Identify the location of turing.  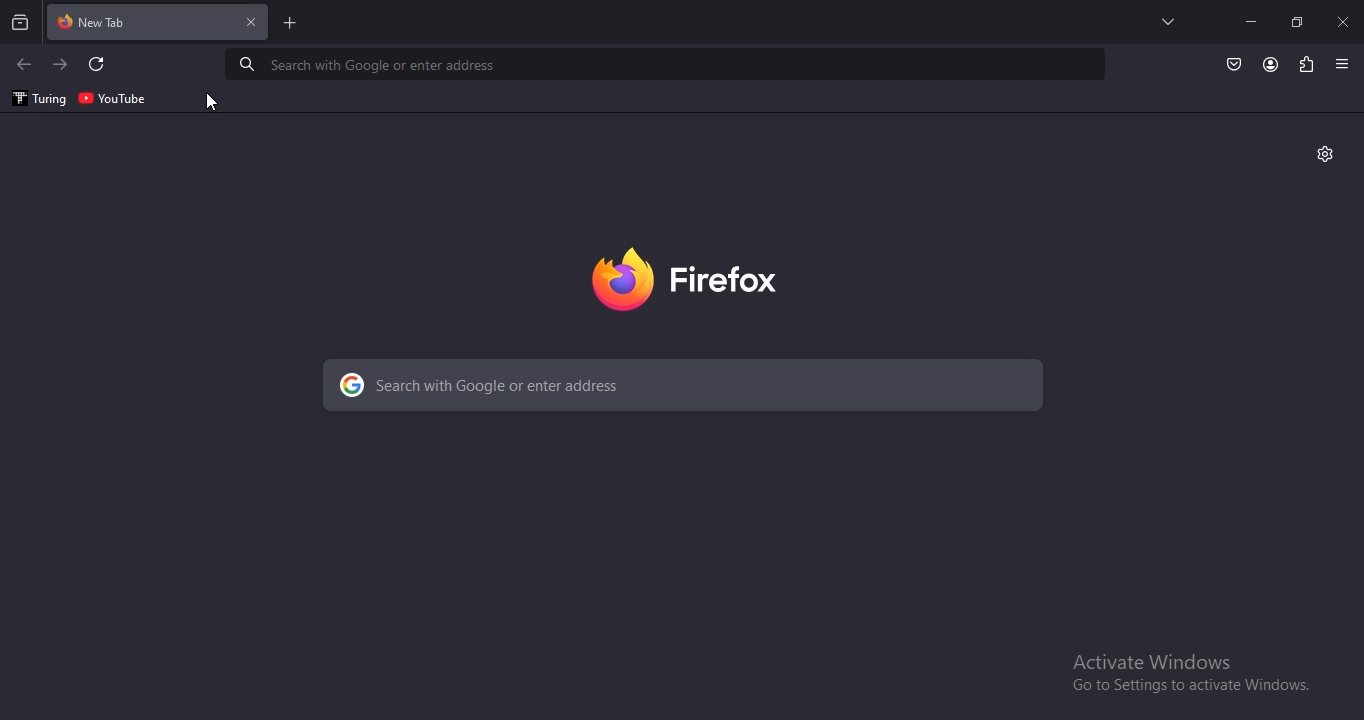
(37, 99).